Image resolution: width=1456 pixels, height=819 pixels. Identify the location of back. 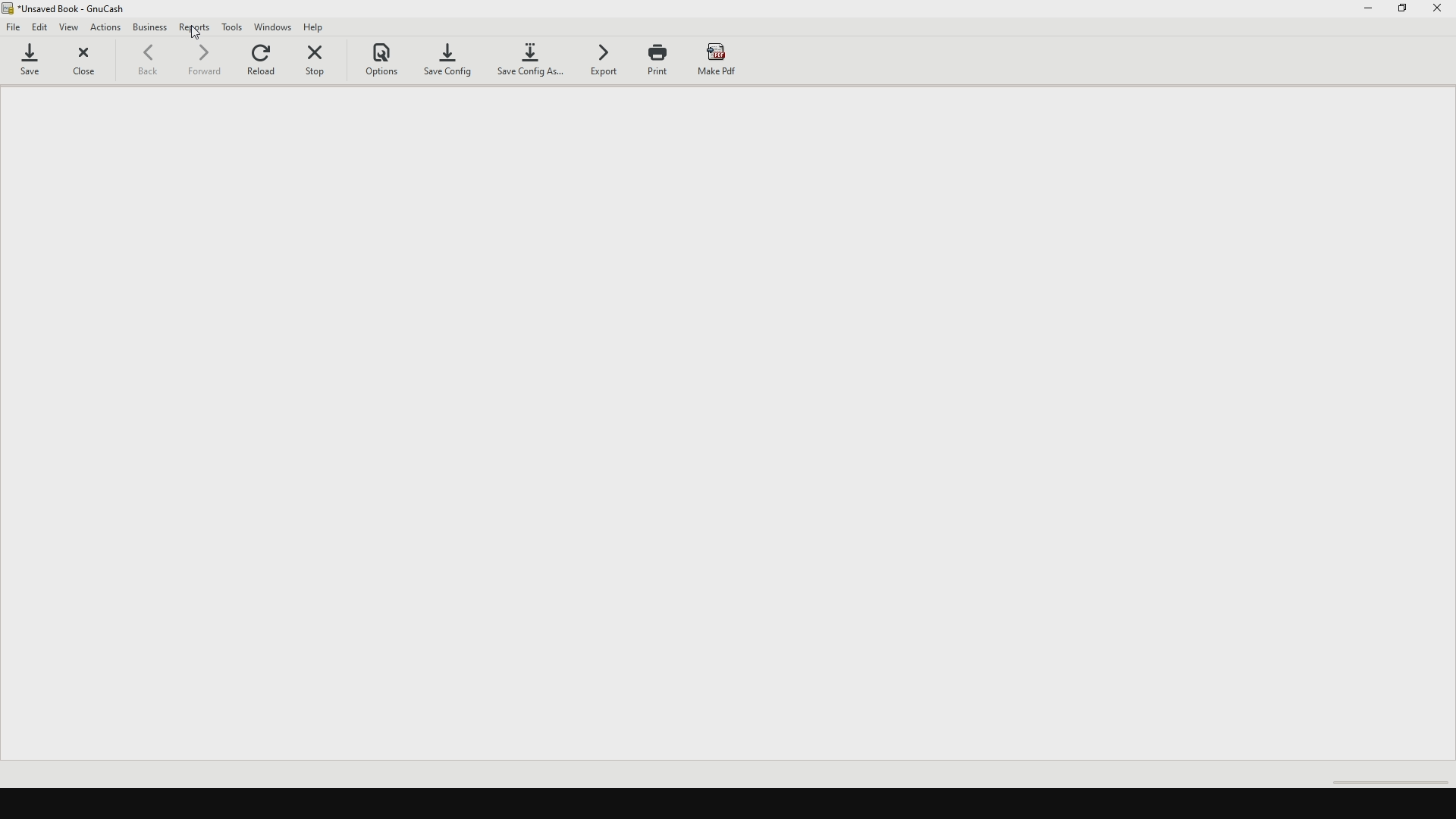
(155, 64).